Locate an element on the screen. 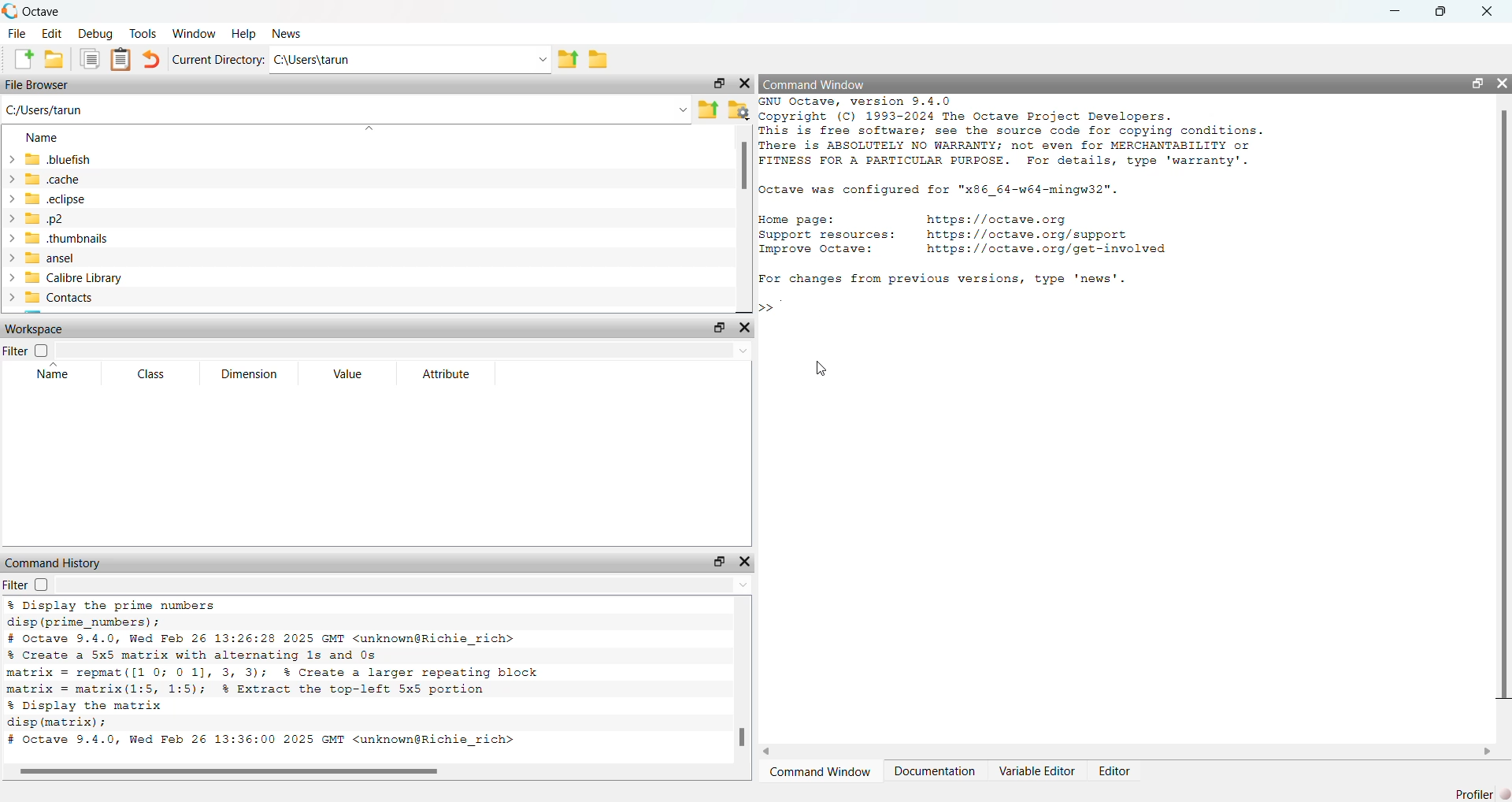 Image resolution: width=1512 pixels, height=802 pixels. attribute is located at coordinates (447, 376).